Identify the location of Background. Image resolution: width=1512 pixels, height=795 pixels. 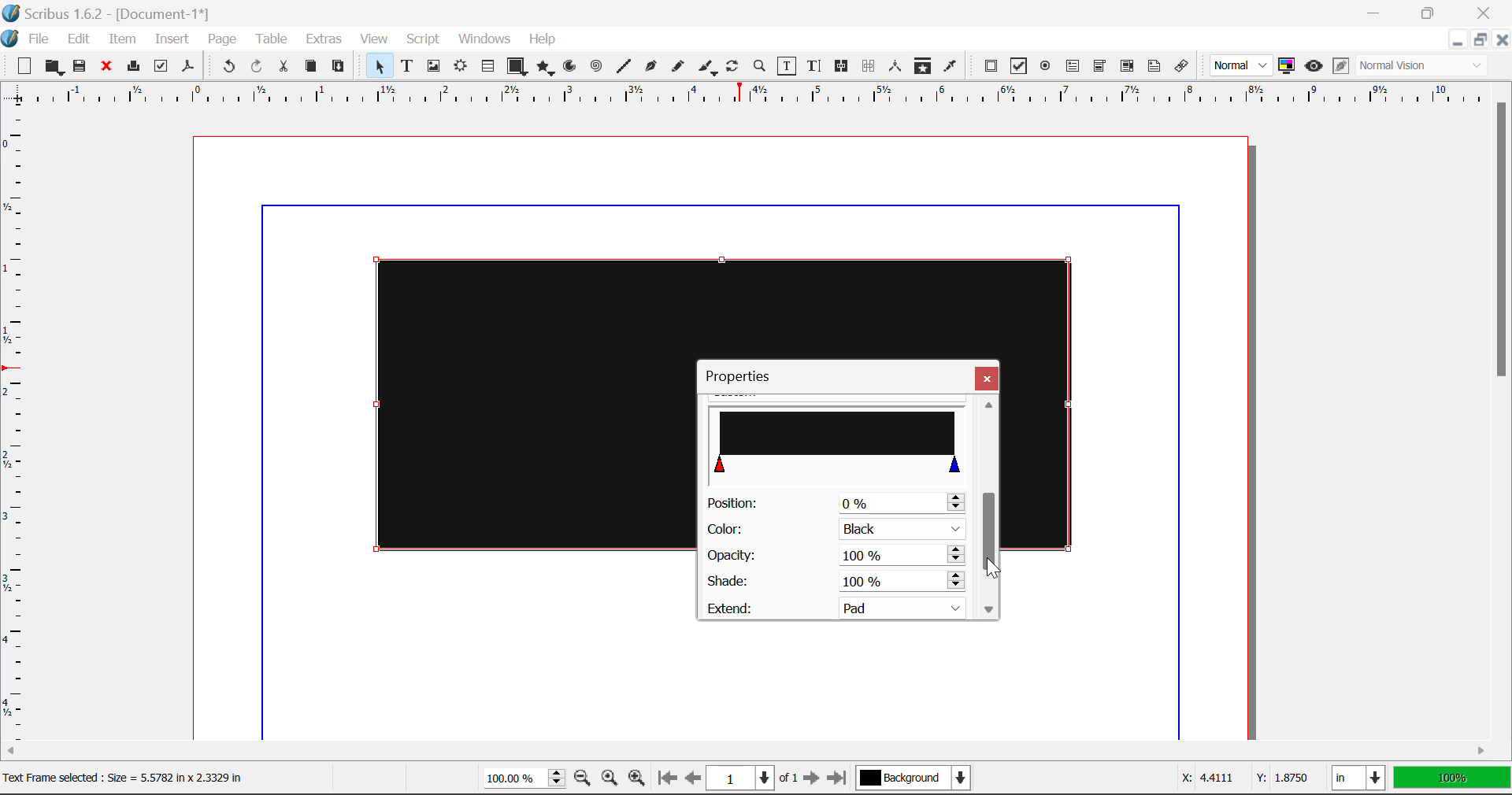
(917, 780).